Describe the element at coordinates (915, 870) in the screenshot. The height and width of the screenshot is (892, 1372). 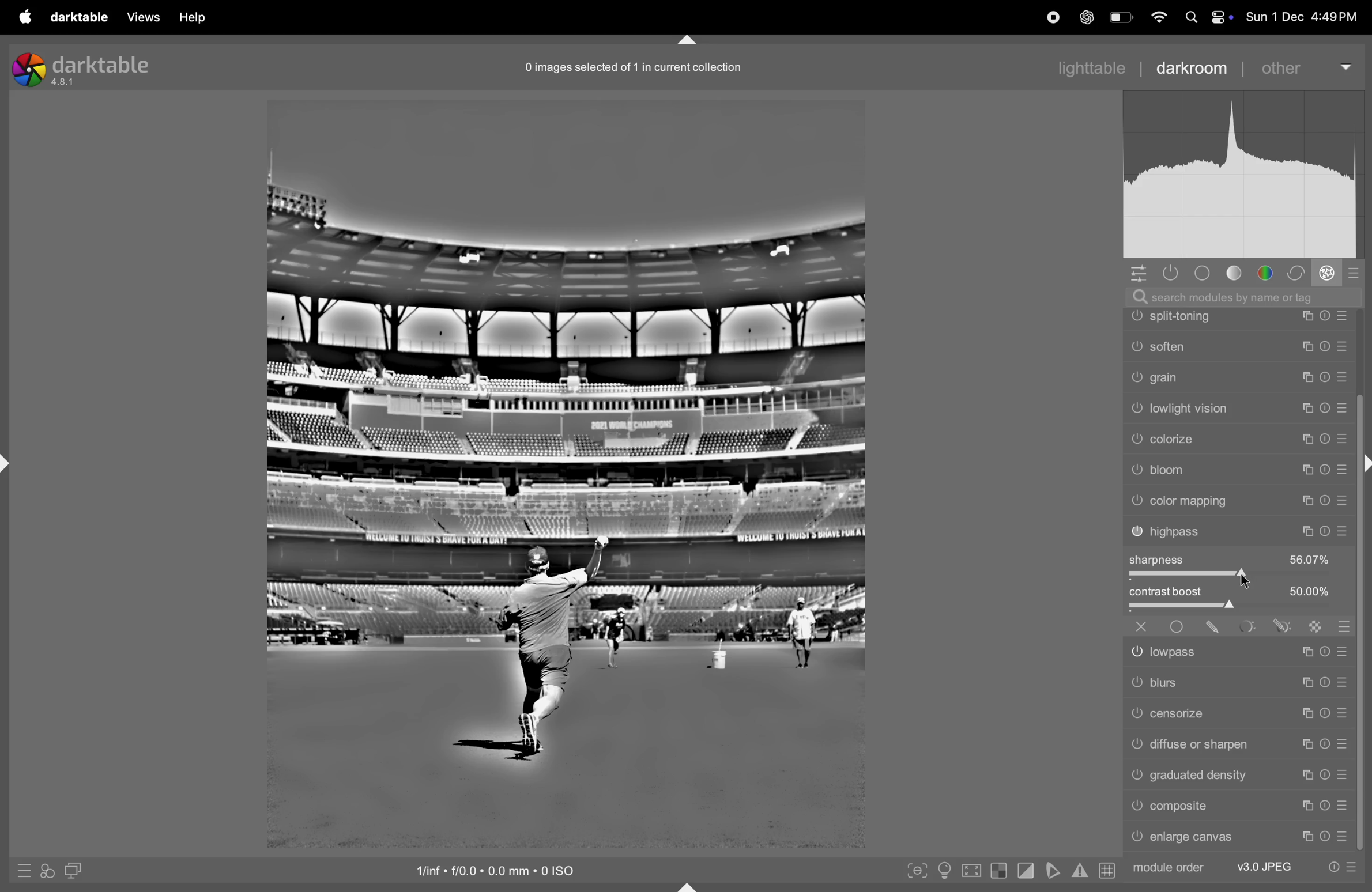
I see `toggle peak focusing mode` at that location.